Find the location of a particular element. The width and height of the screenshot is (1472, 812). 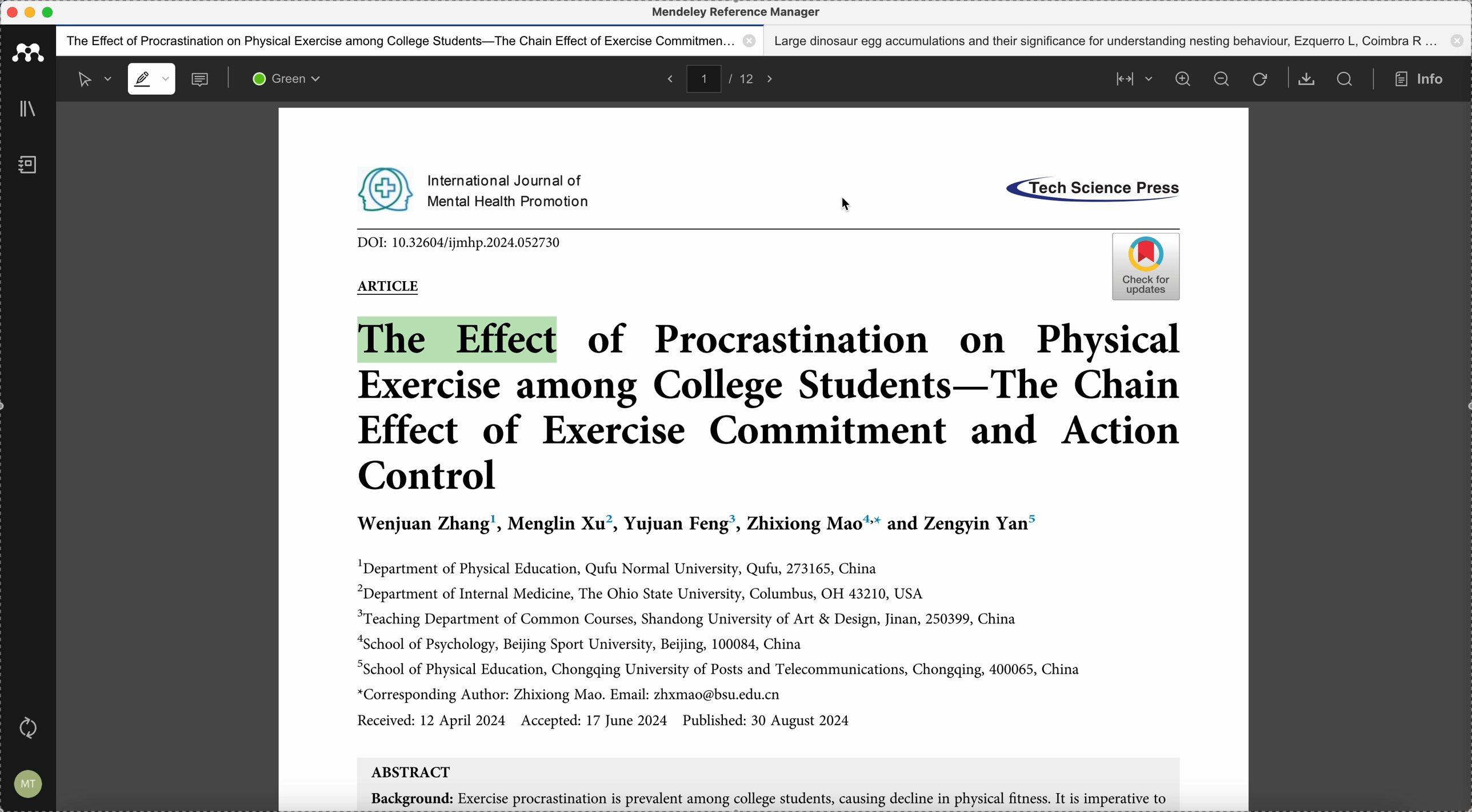

pdf opened: The Effect of procastination on physical is located at coordinates (763, 517).